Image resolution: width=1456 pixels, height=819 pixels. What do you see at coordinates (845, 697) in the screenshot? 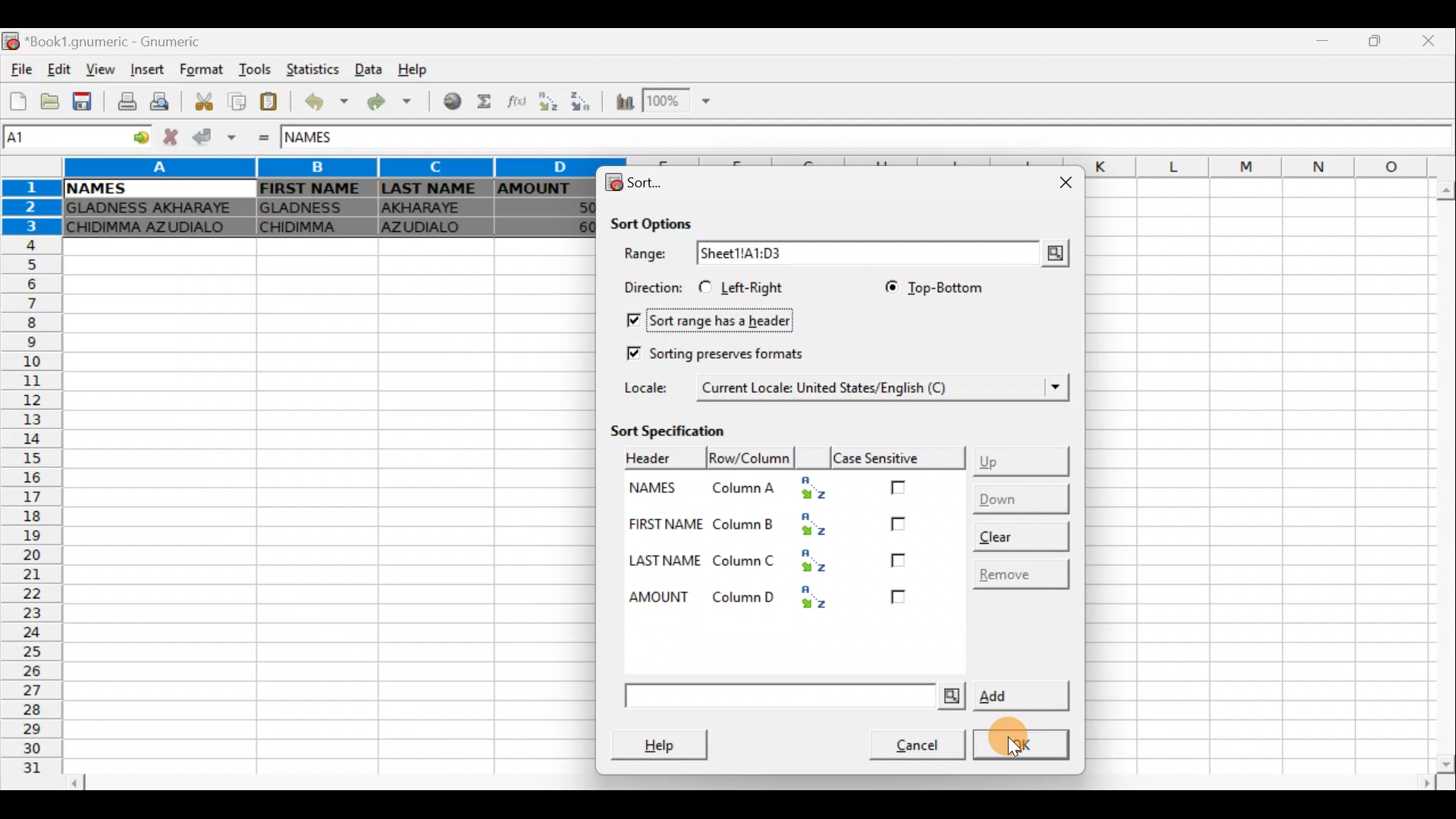
I see `Add` at bounding box center [845, 697].